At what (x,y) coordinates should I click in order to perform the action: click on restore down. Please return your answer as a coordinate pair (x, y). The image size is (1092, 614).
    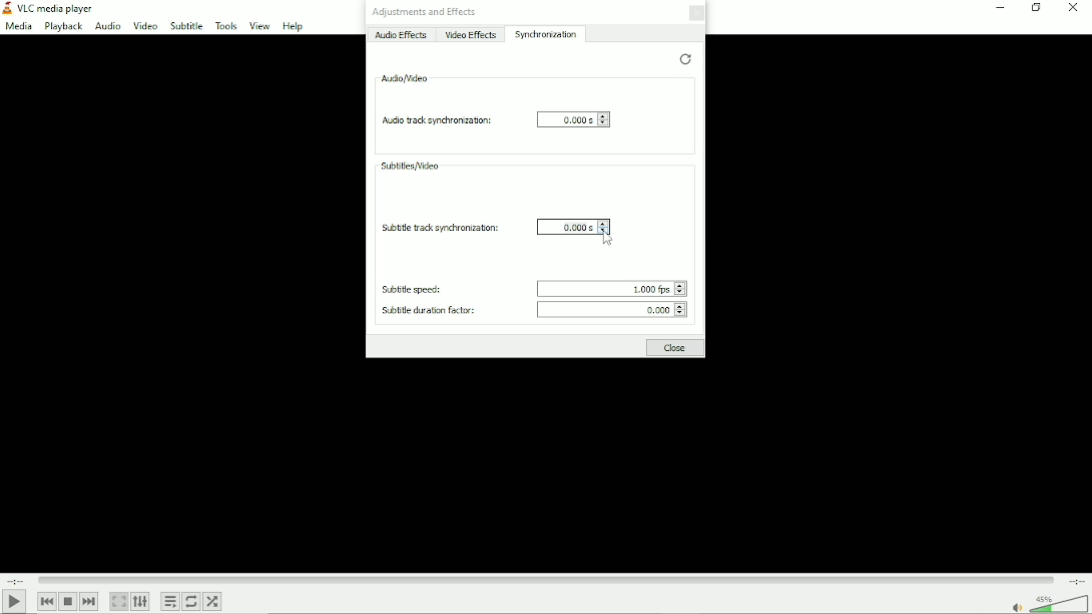
    Looking at the image, I should click on (1036, 7).